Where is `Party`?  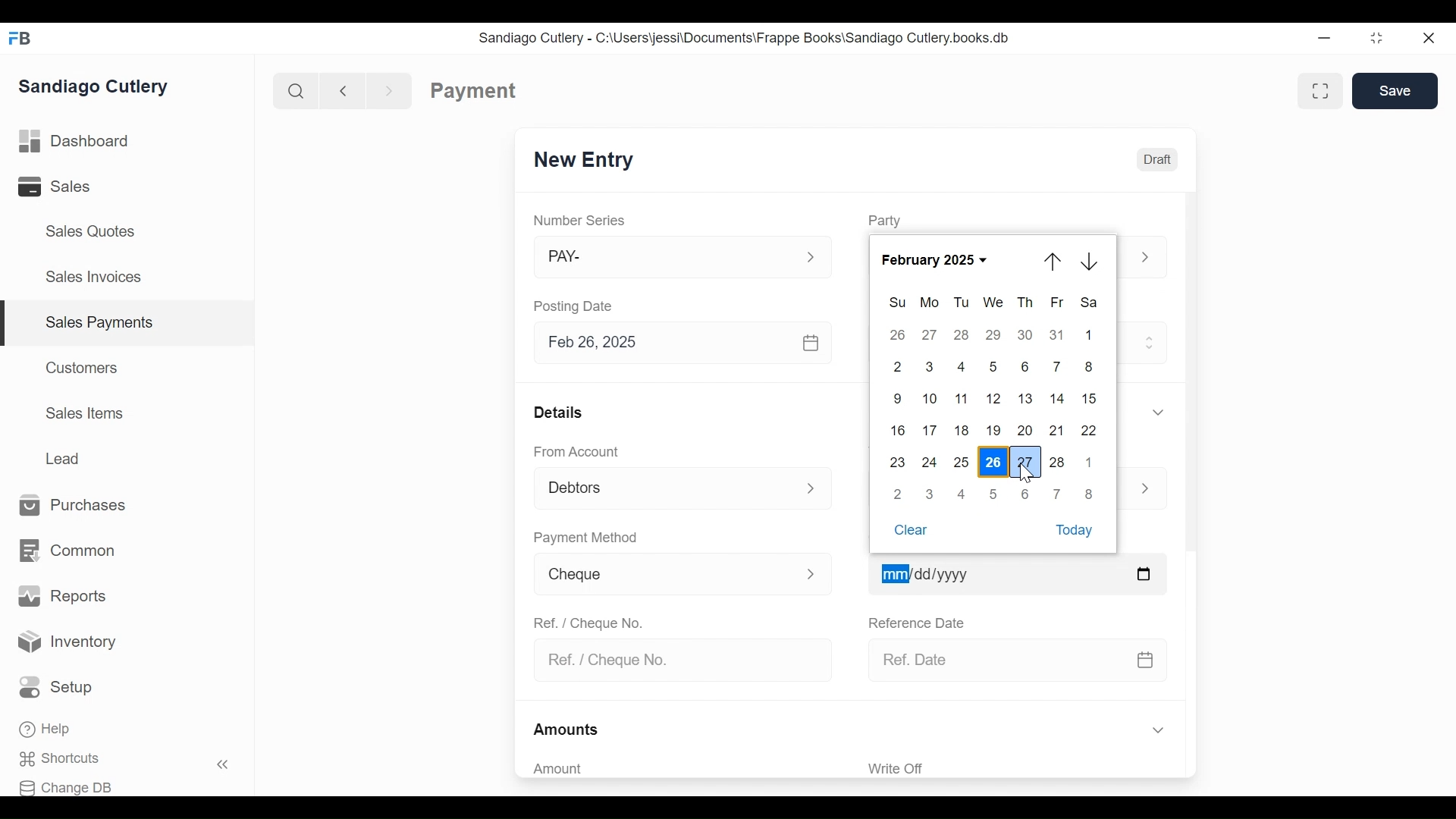 Party is located at coordinates (884, 221).